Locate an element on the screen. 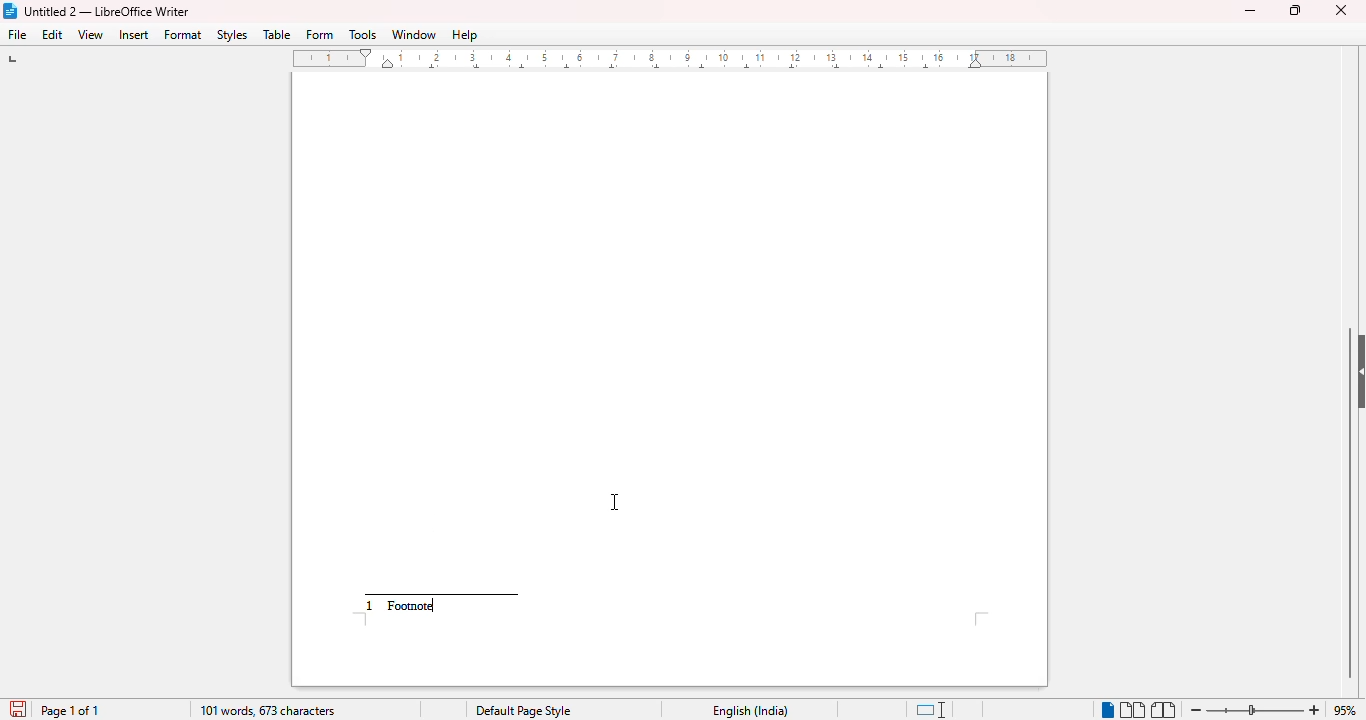 The height and width of the screenshot is (720, 1366). styles is located at coordinates (233, 35).